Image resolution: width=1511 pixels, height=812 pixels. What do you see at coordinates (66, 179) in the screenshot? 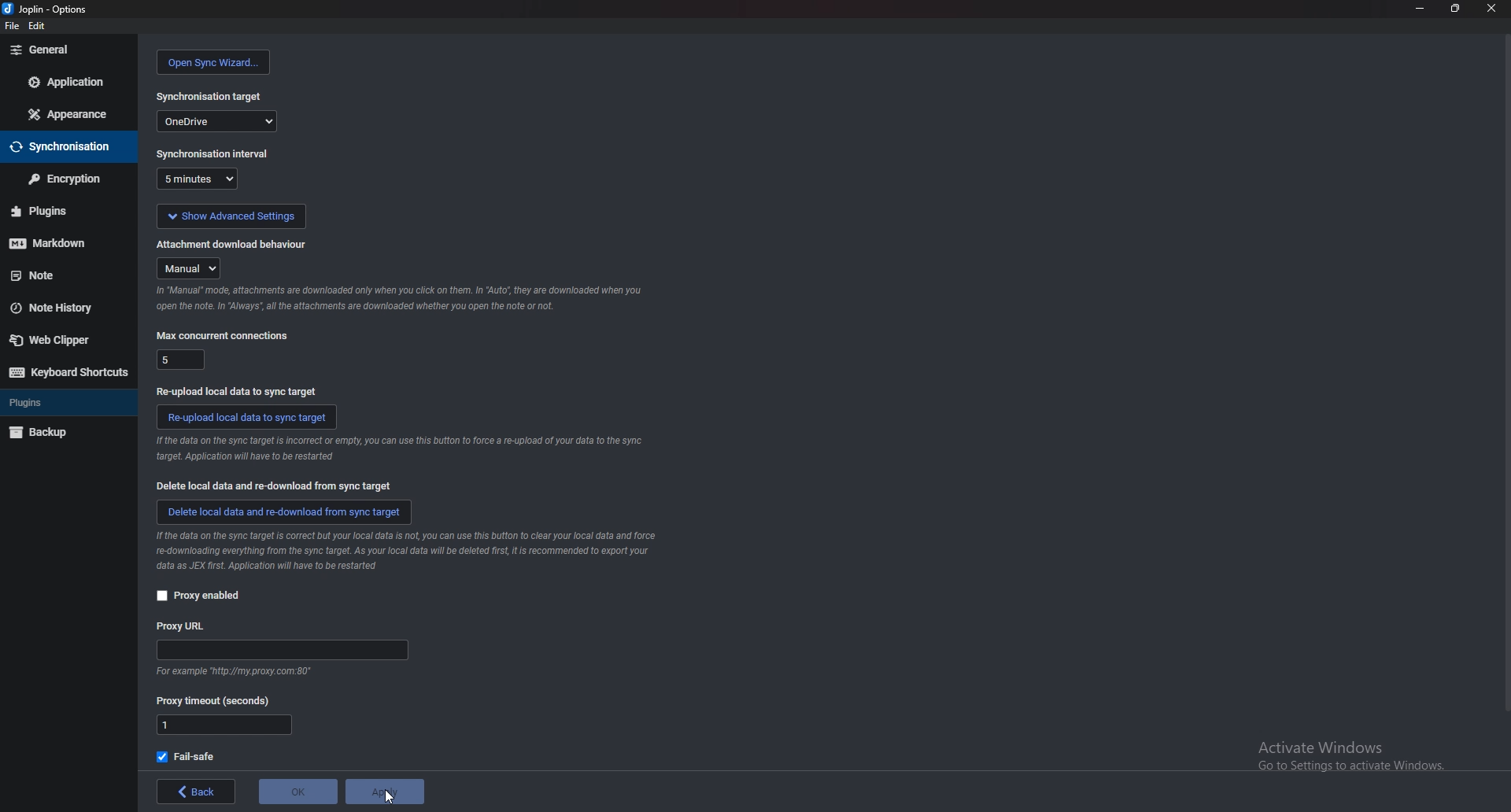
I see `encryption` at bounding box center [66, 179].